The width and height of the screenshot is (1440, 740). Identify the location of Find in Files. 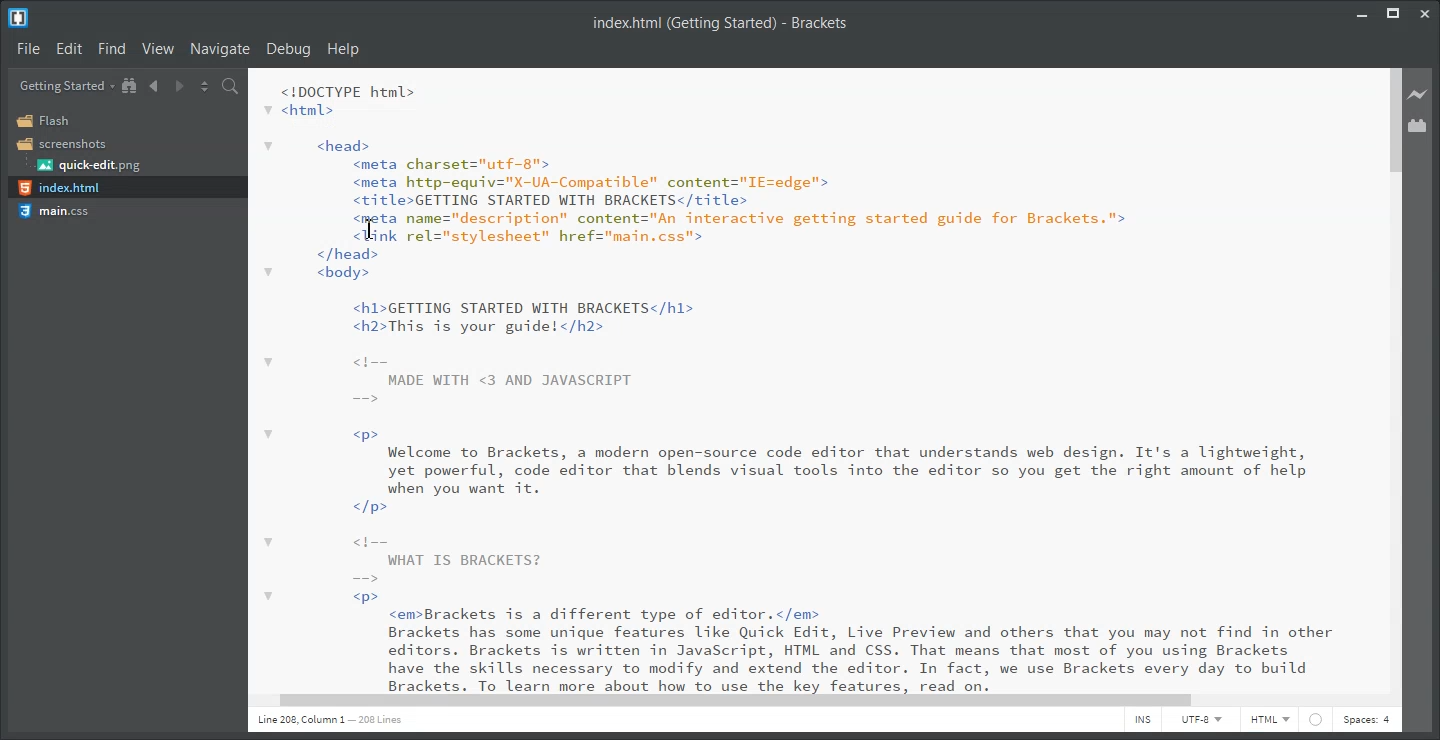
(231, 86).